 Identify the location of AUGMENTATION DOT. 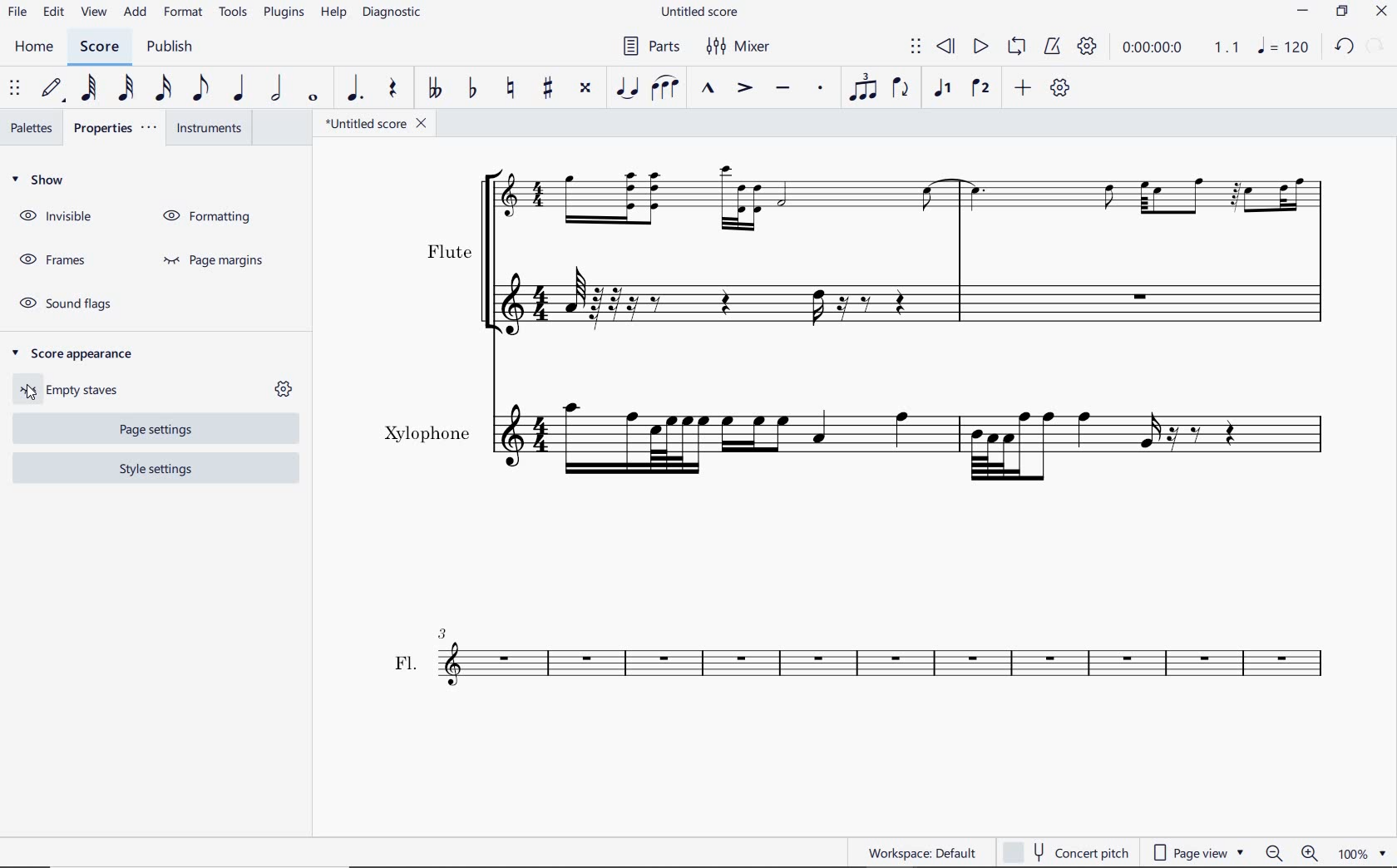
(353, 90).